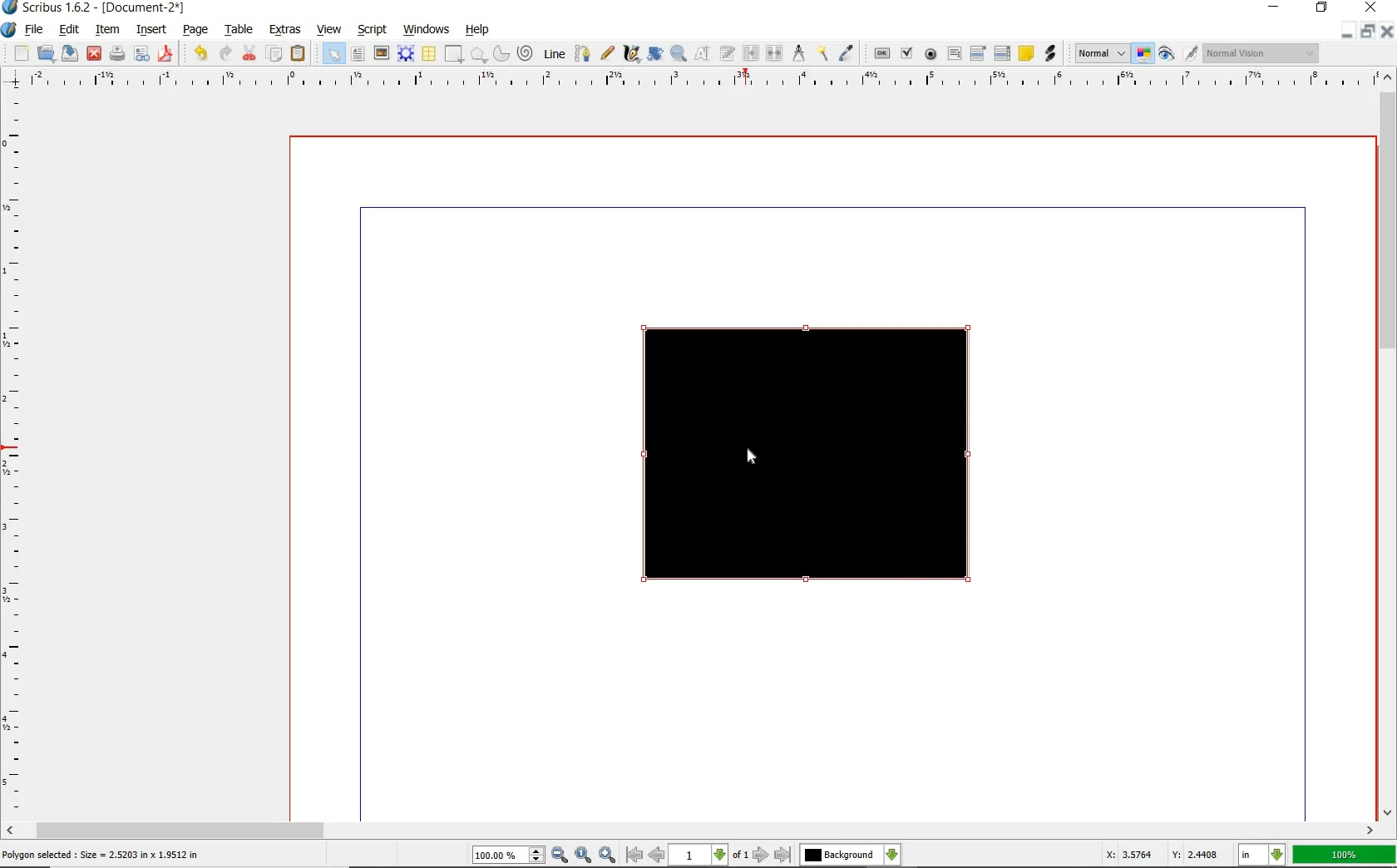 Image resolution: width=1397 pixels, height=868 pixels. I want to click on pdf text field, so click(955, 54).